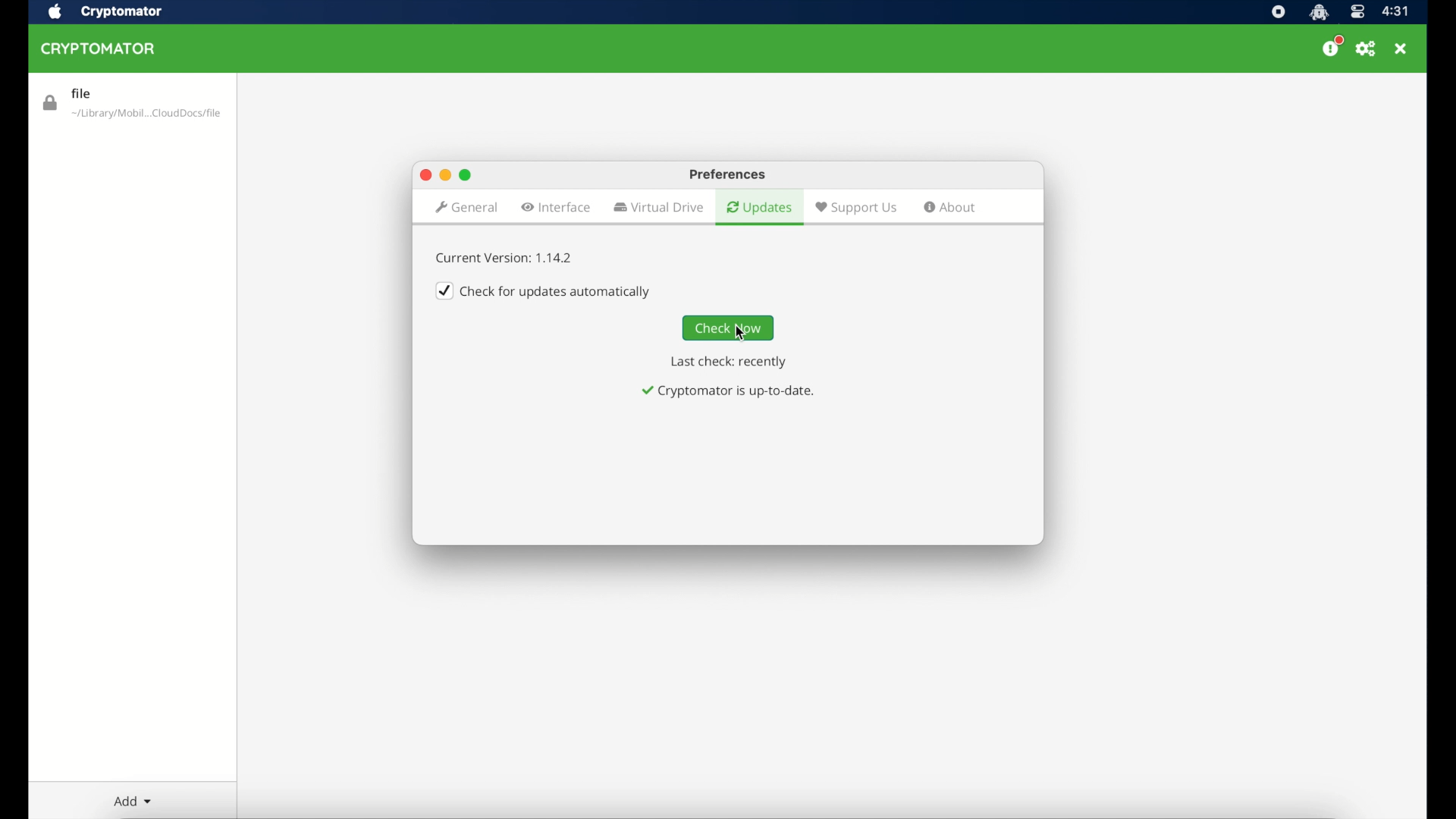  I want to click on time, so click(1397, 12).